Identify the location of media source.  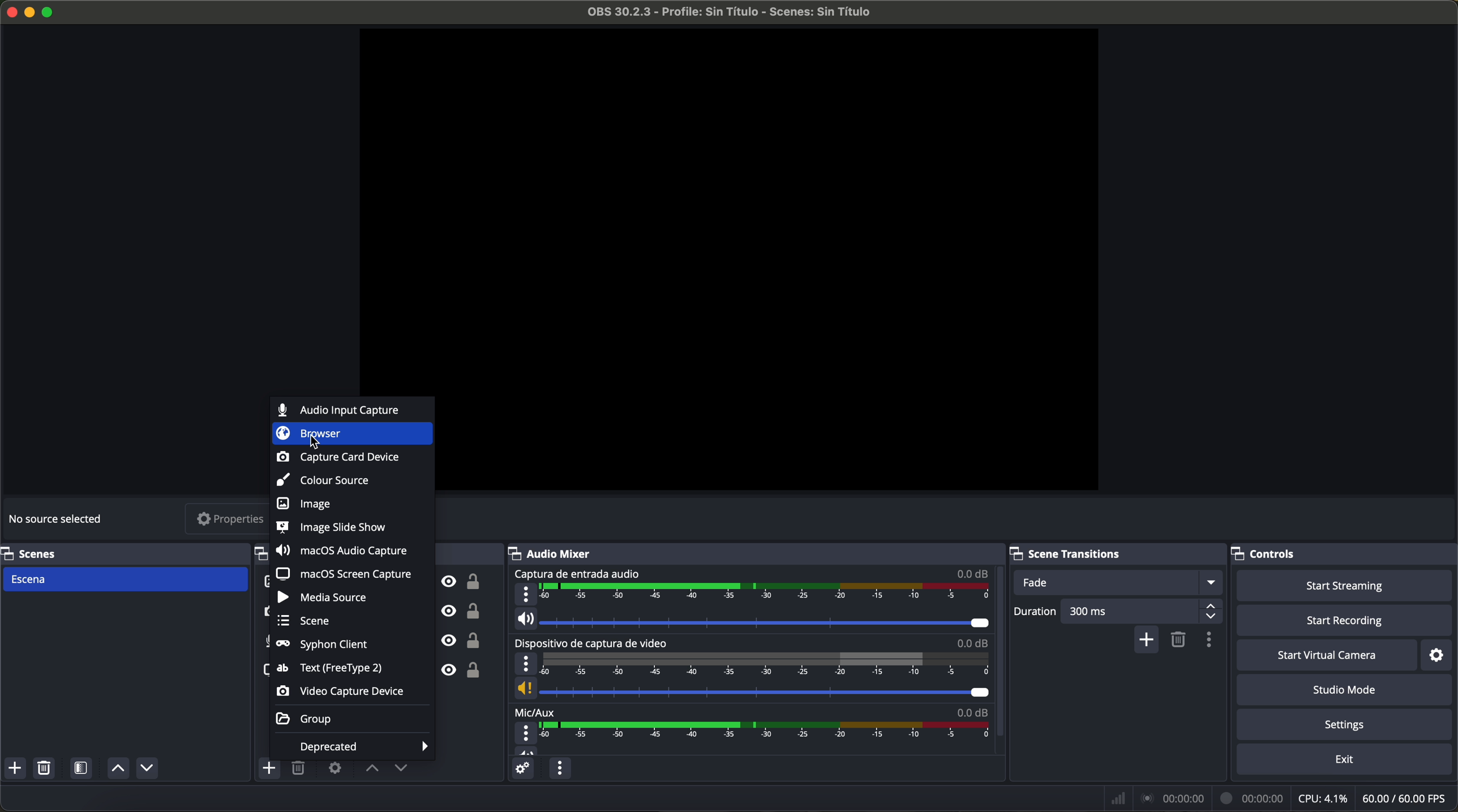
(323, 599).